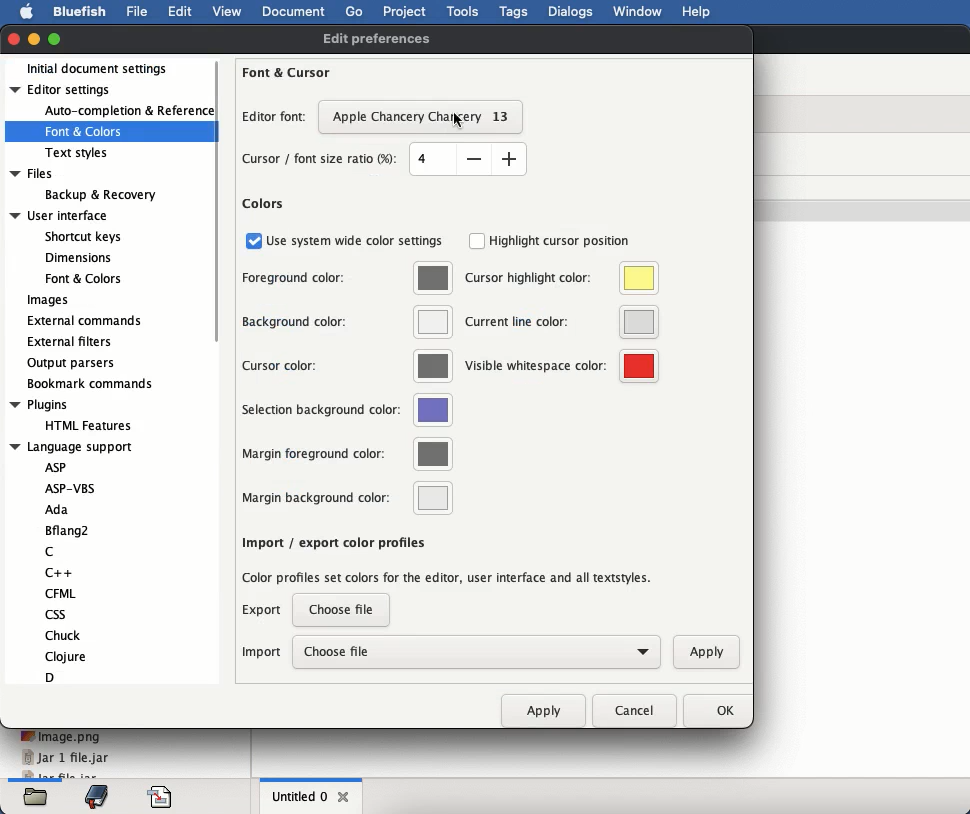  Describe the element at coordinates (264, 204) in the screenshot. I see `colors` at that location.